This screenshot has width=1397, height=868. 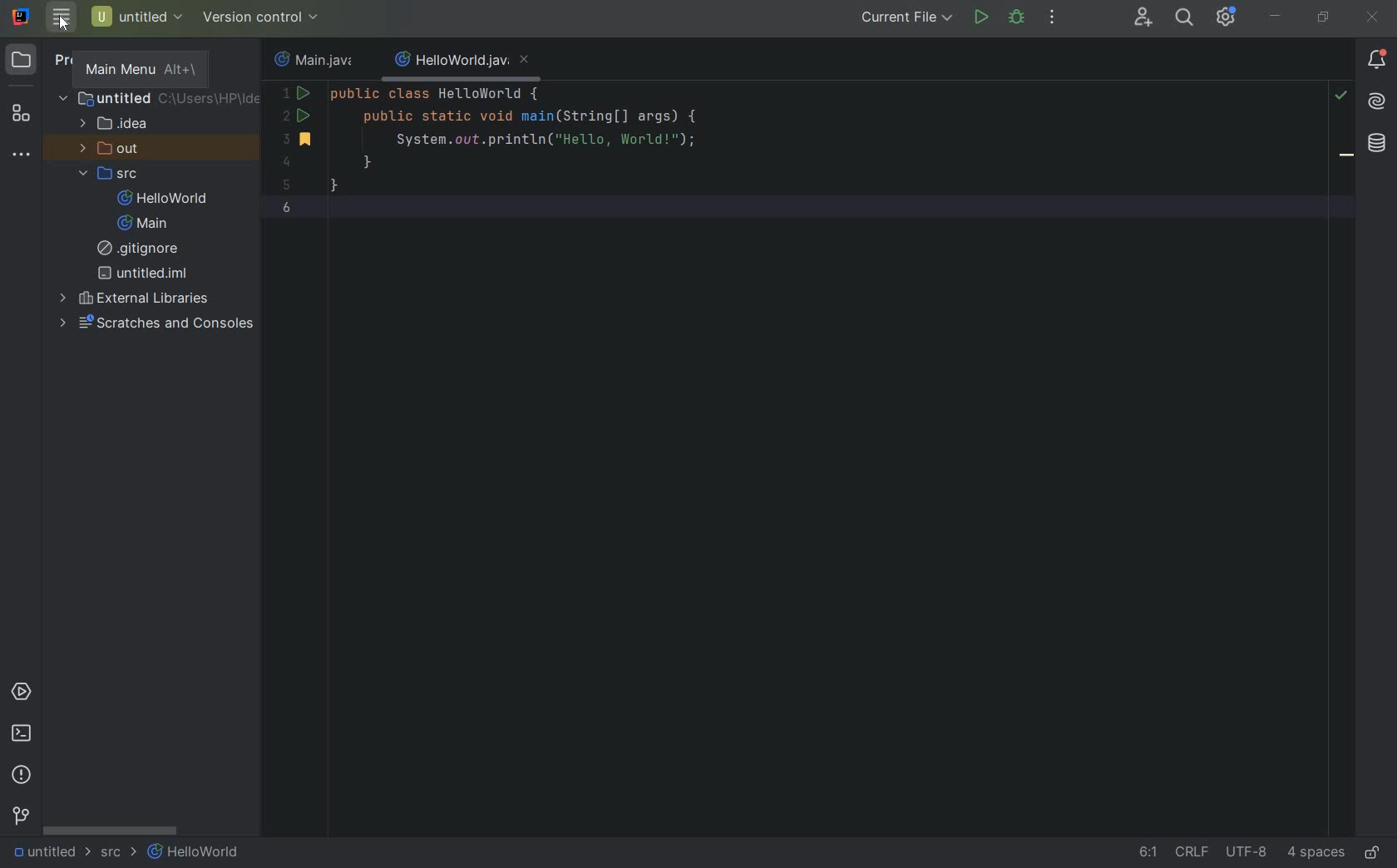 What do you see at coordinates (1373, 854) in the screenshot?
I see `MAKE FILE READY ONLY` at bounding box center [1373, 854].